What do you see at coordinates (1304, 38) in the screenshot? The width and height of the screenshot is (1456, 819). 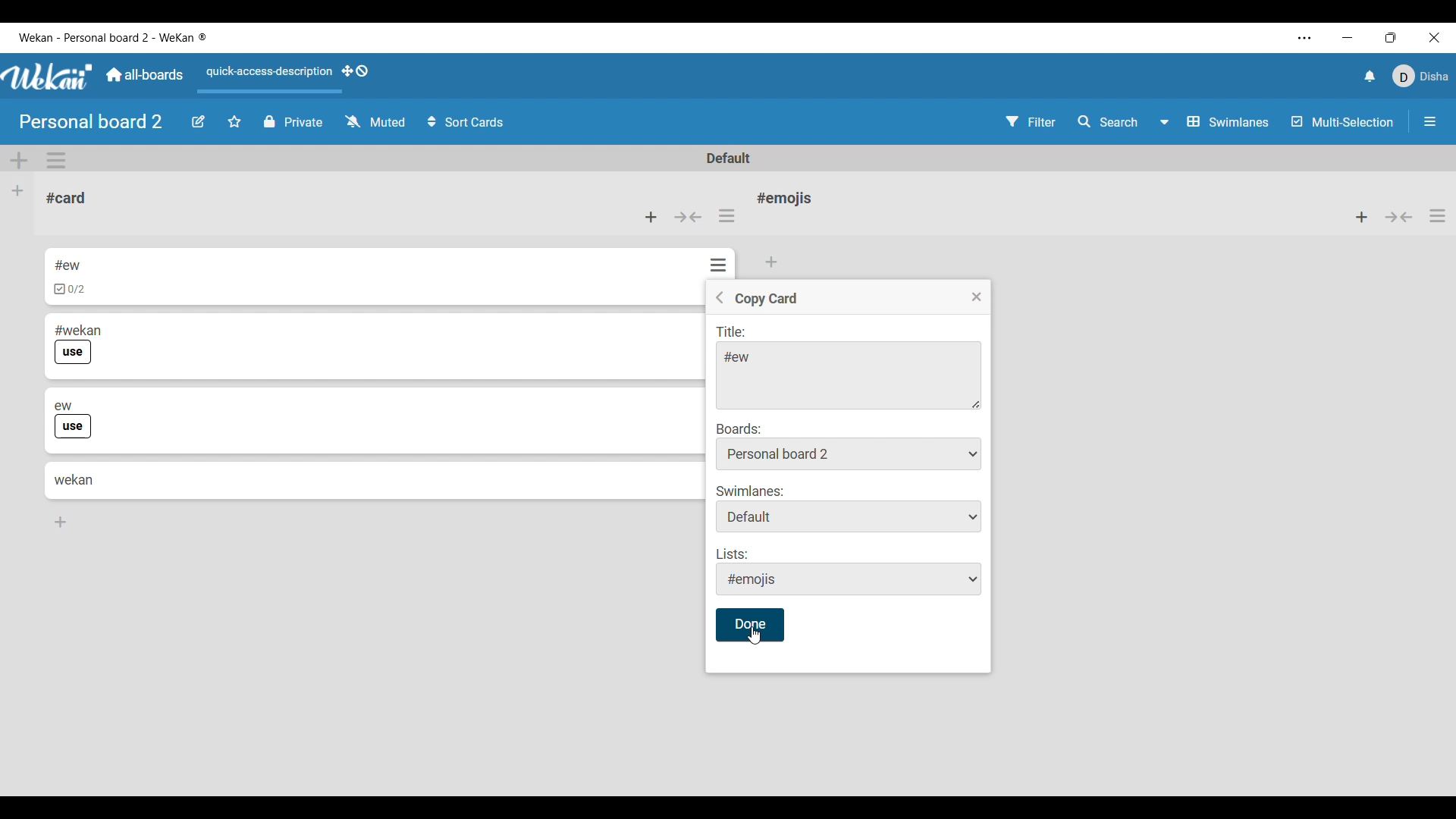 I see `More settings` at bounding box center [1304, 38].